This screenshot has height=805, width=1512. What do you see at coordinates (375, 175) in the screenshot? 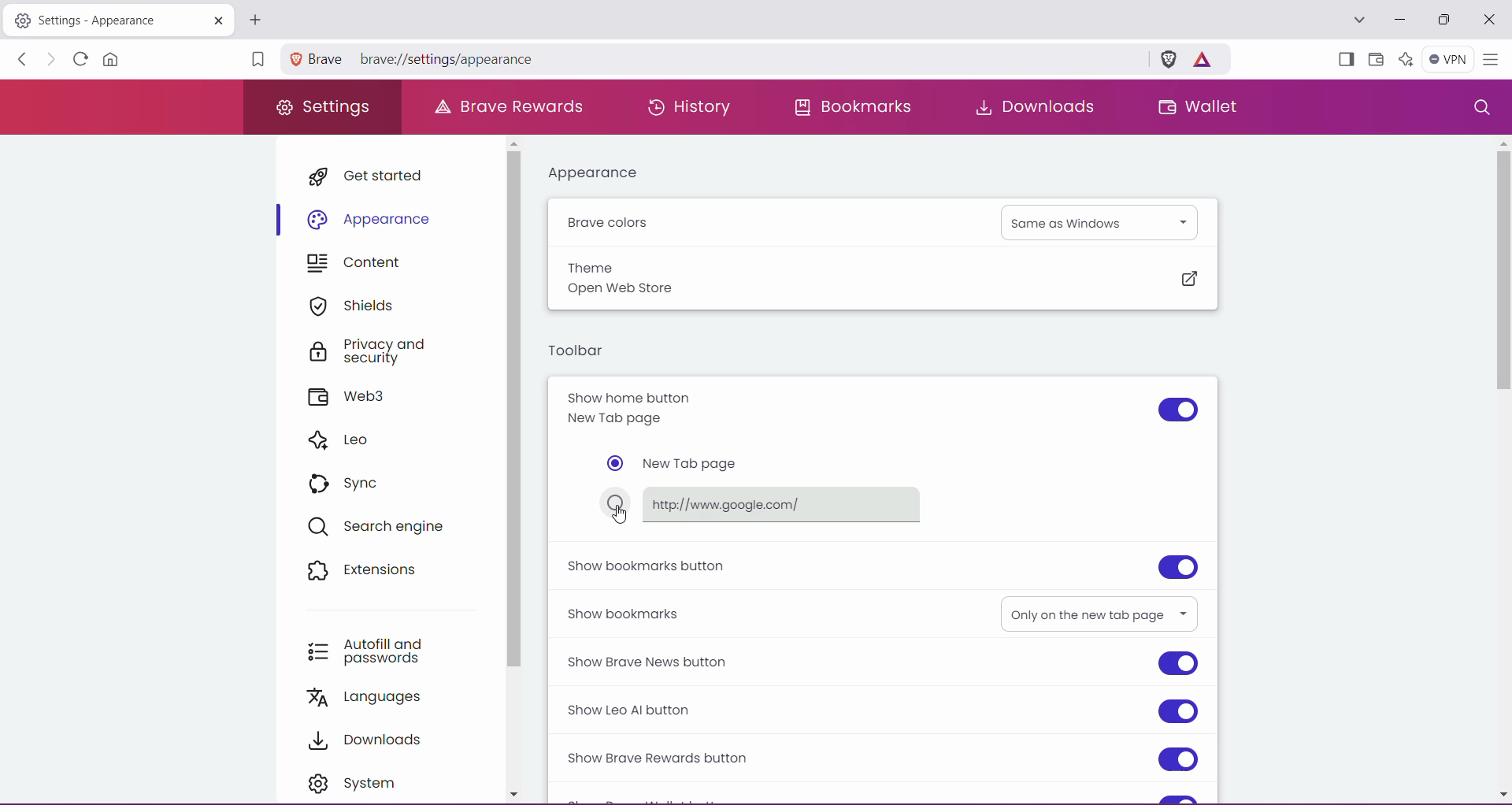
I see `Get started` at bounding box center [375, 175].